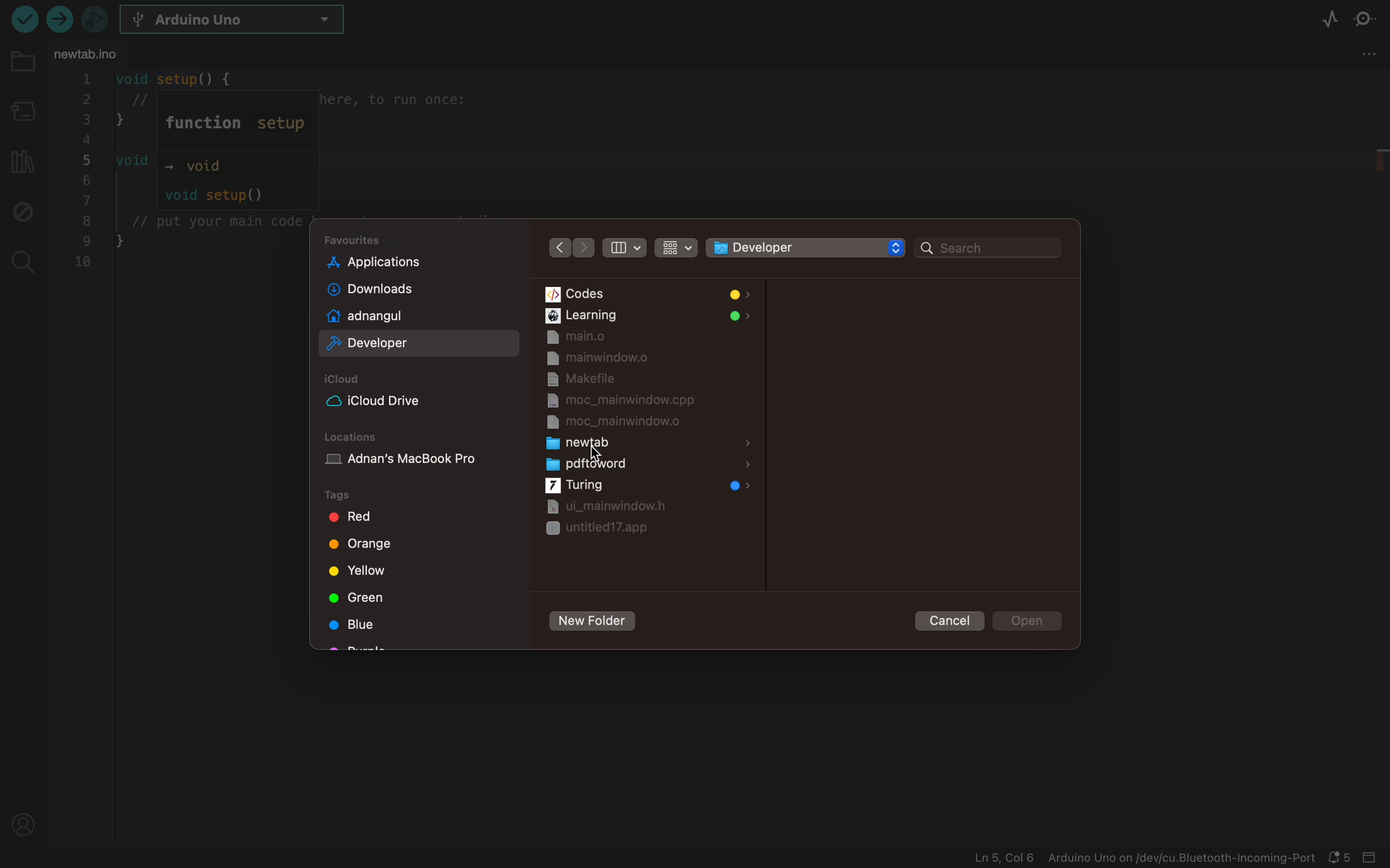  I want to click on turing, so click(646, 486).